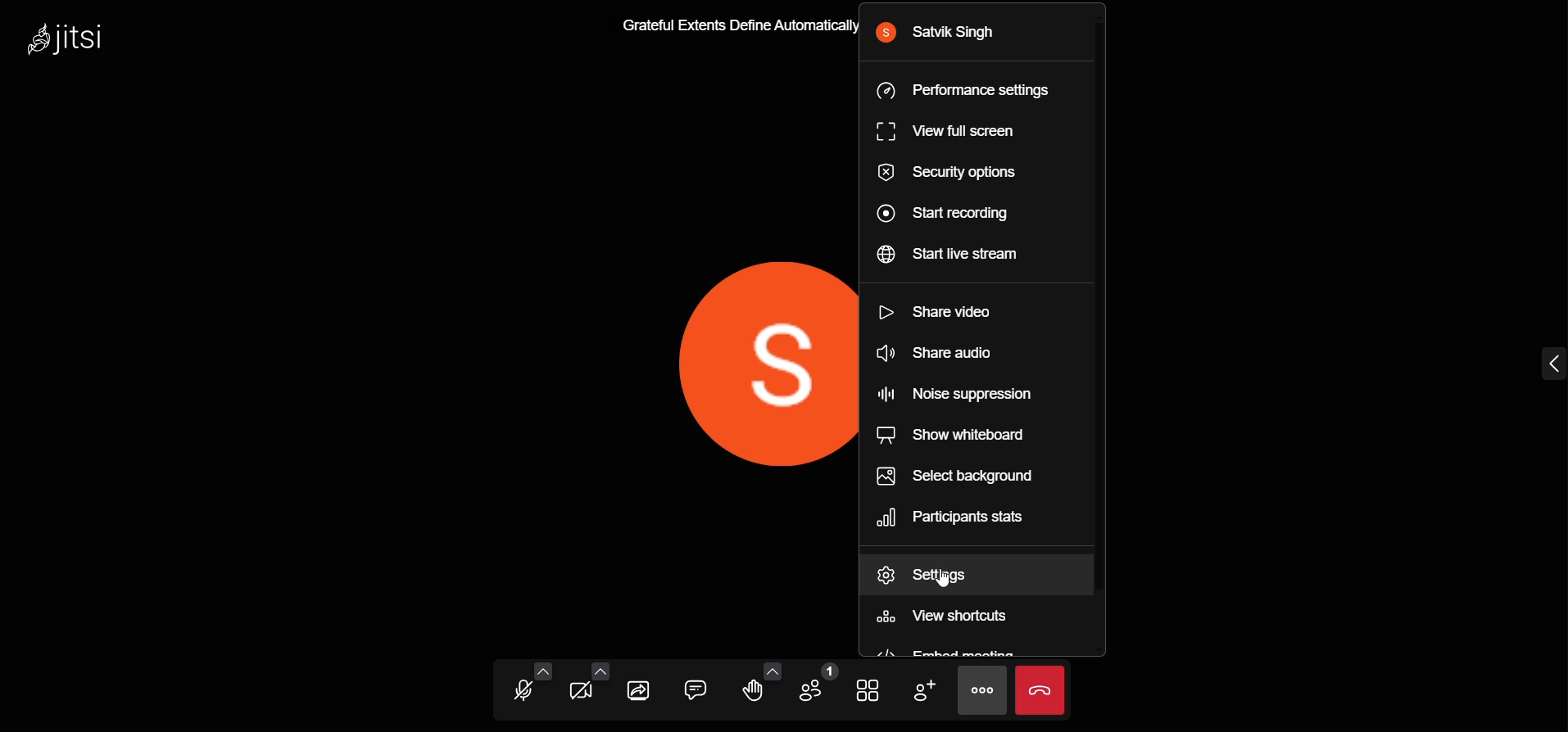 The width and height of the screenshot is (1568, 732). Describe the element at coordinates (640, 688) in the screenshot. I see `screen share` at that location.